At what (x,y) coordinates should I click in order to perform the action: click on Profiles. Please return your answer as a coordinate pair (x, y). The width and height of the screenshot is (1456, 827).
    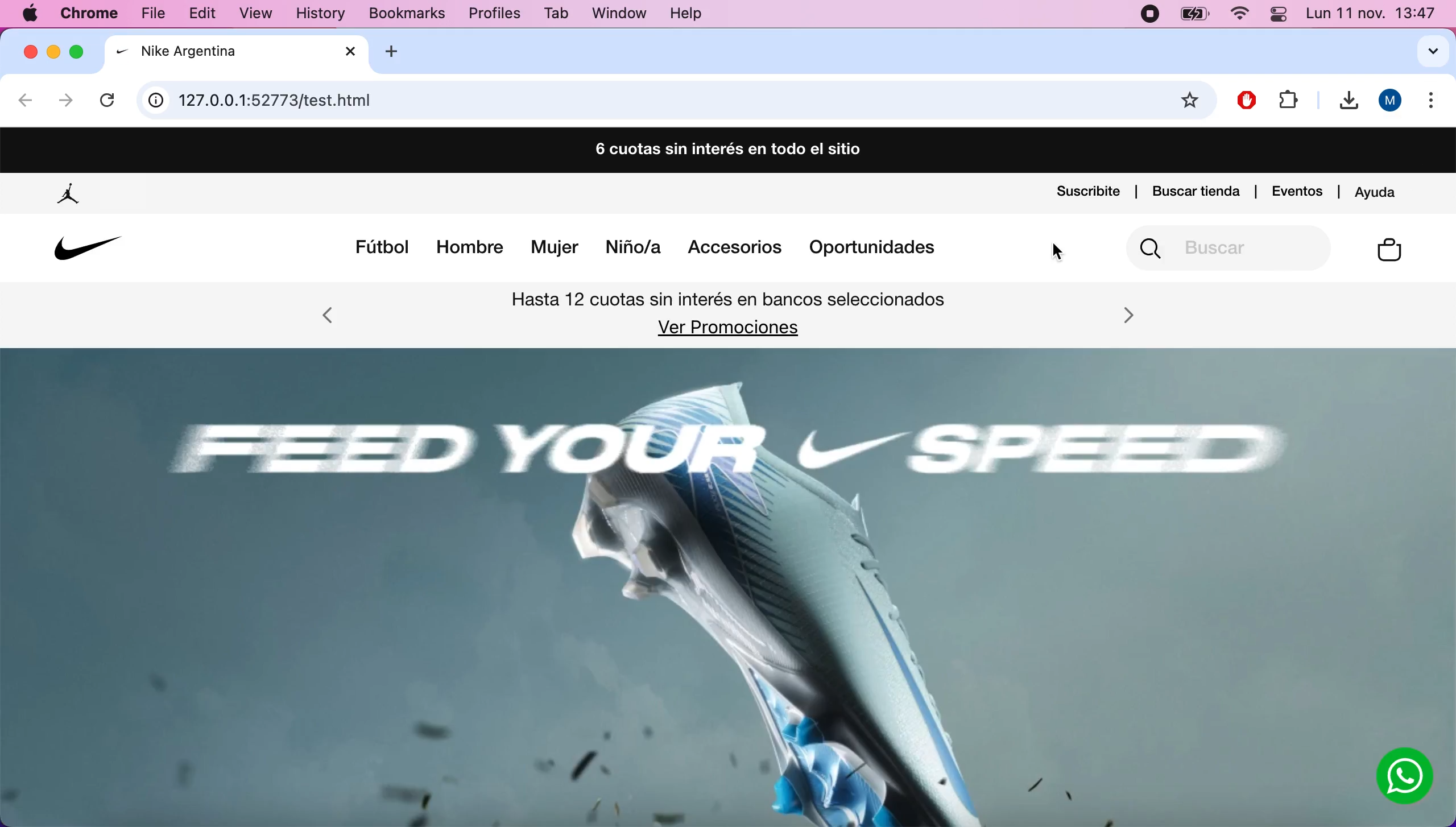
    Looking at the image, I should click on (494, 14).